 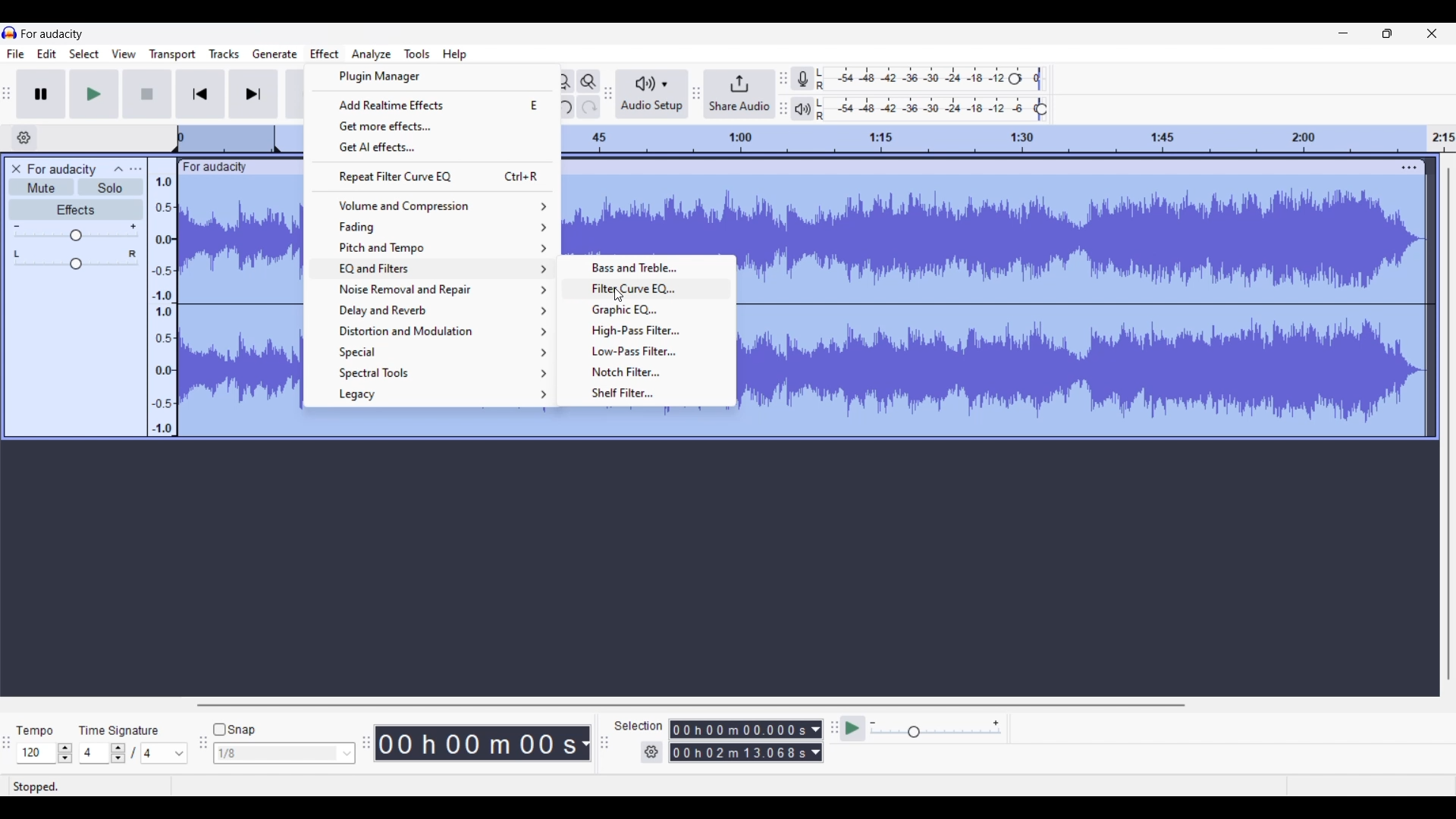 What do you see at coordinates (815, 741) in the screenshot?
I see `Selection duration measurement` at bounding box center [815, 741].